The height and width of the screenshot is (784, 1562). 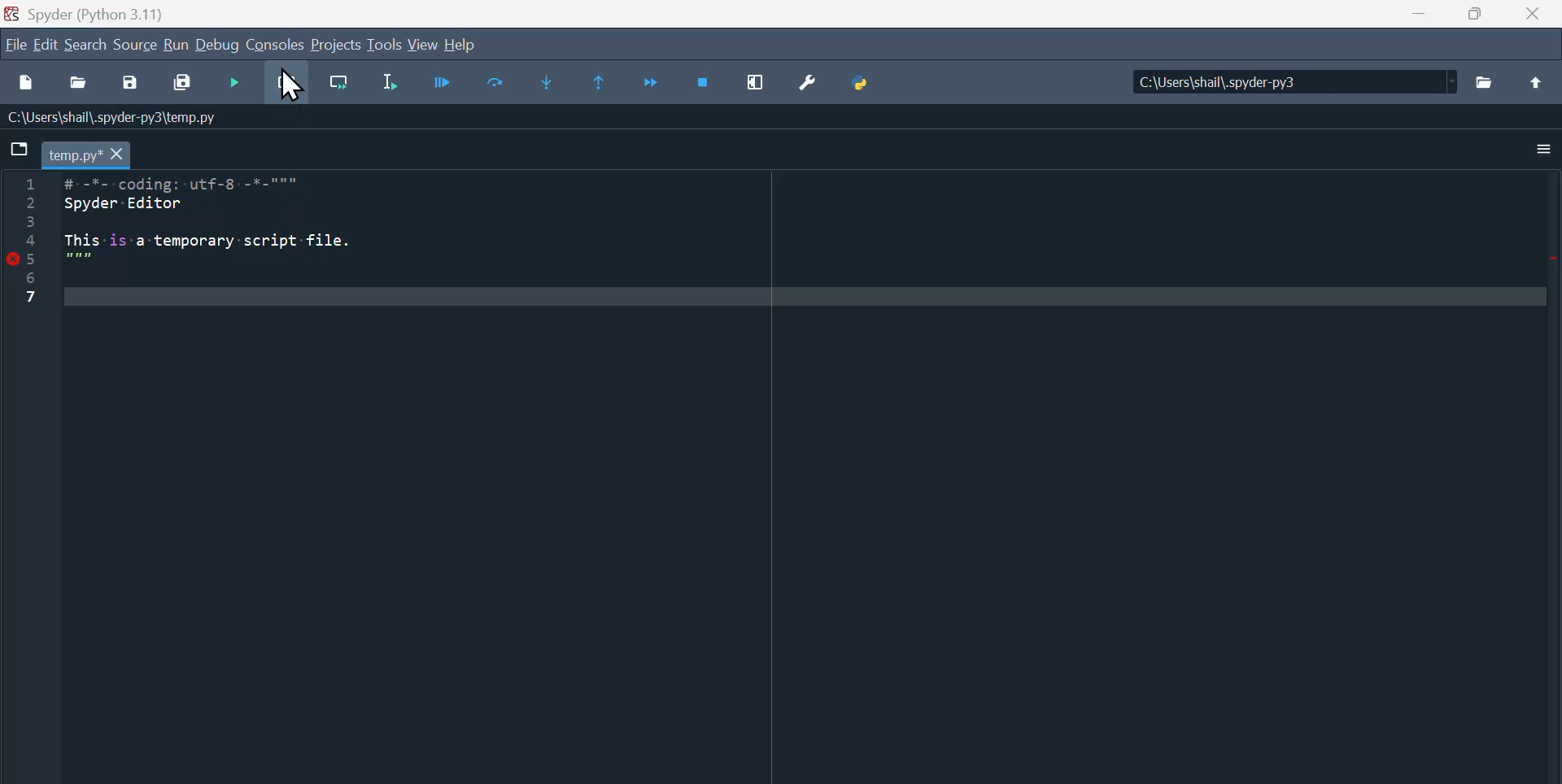 What do you see at coordinates (136, 44) in the screenshot?
I see `Source` at bounding box center [136, 44].